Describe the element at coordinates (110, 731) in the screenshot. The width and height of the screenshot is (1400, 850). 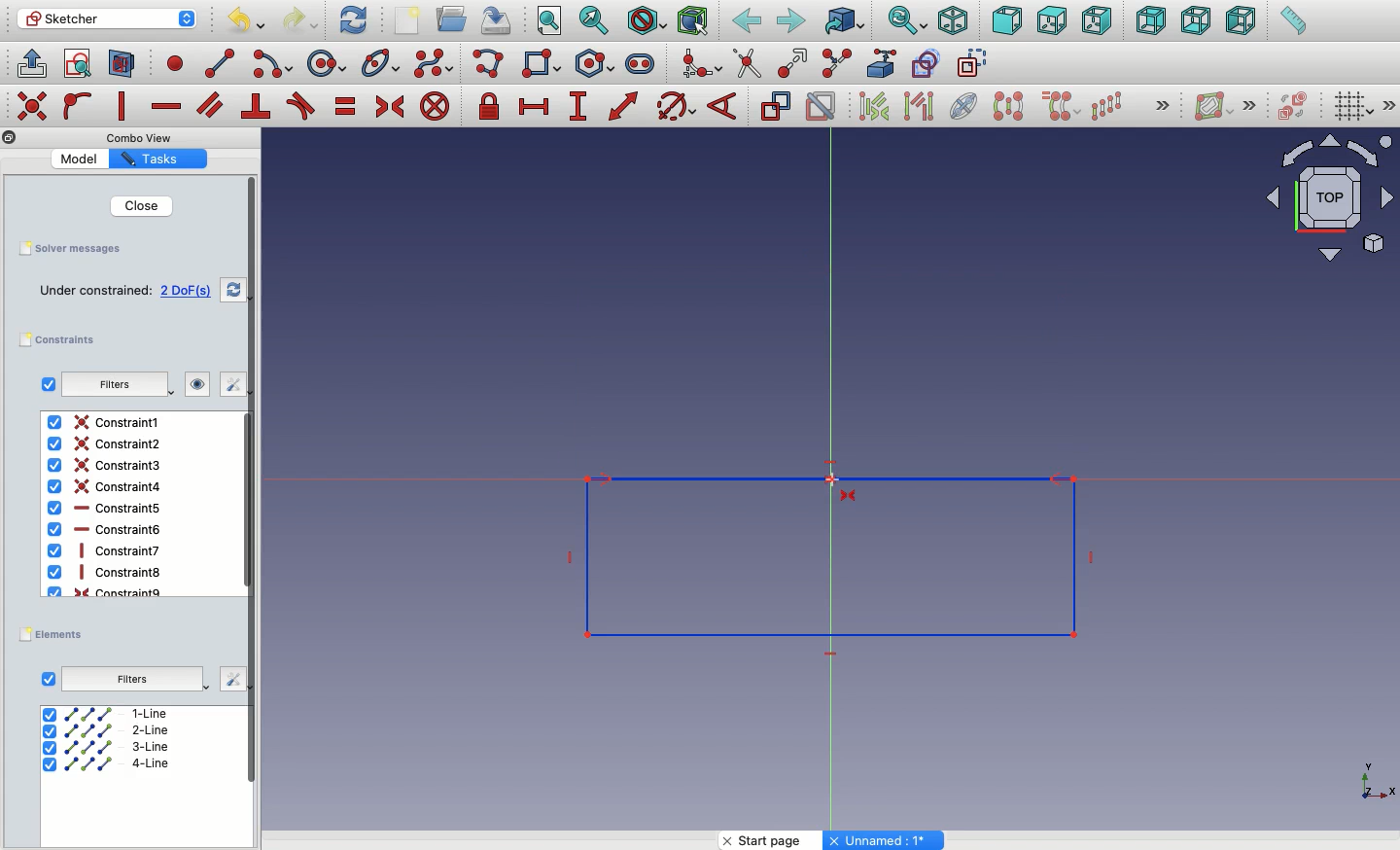
I see `2-line` at that location.